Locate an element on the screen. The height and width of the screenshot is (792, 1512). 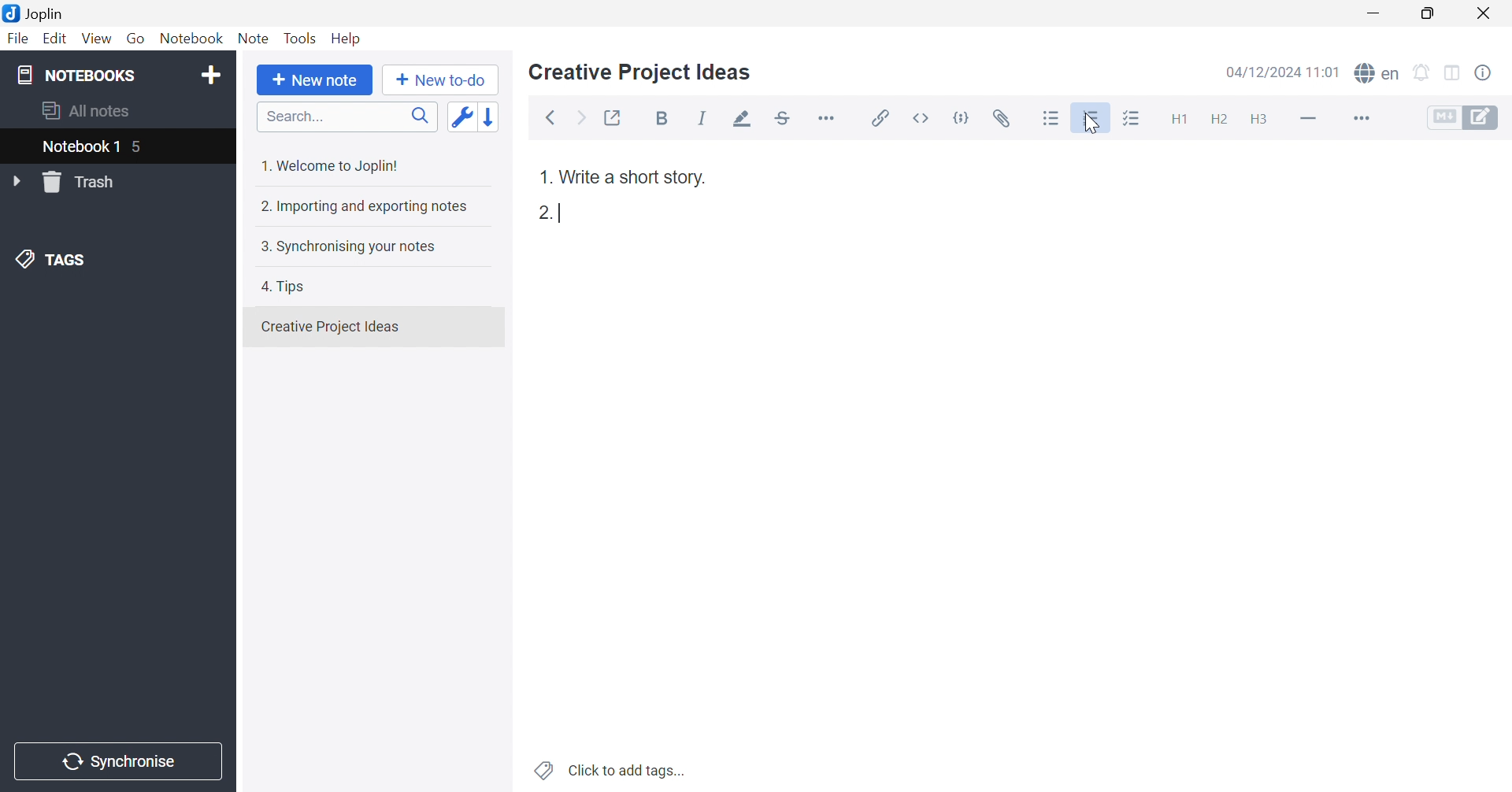
Creative Projects Ideas is located at coordinates (330, 327).